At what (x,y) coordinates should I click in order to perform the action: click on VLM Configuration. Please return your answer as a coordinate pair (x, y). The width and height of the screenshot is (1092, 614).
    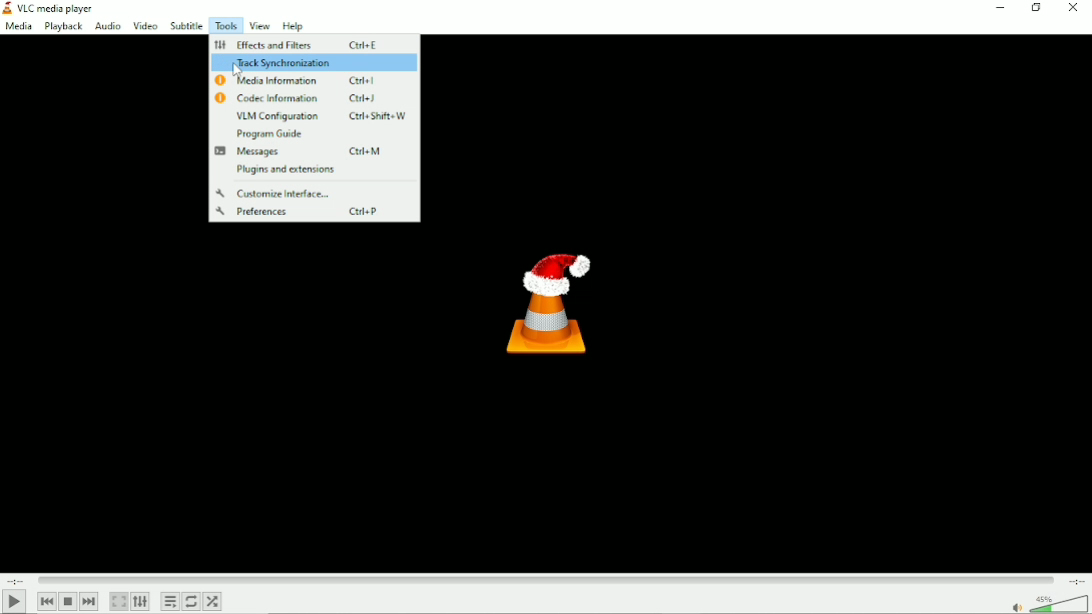
    Looking at the image, I should click on (322, 116).